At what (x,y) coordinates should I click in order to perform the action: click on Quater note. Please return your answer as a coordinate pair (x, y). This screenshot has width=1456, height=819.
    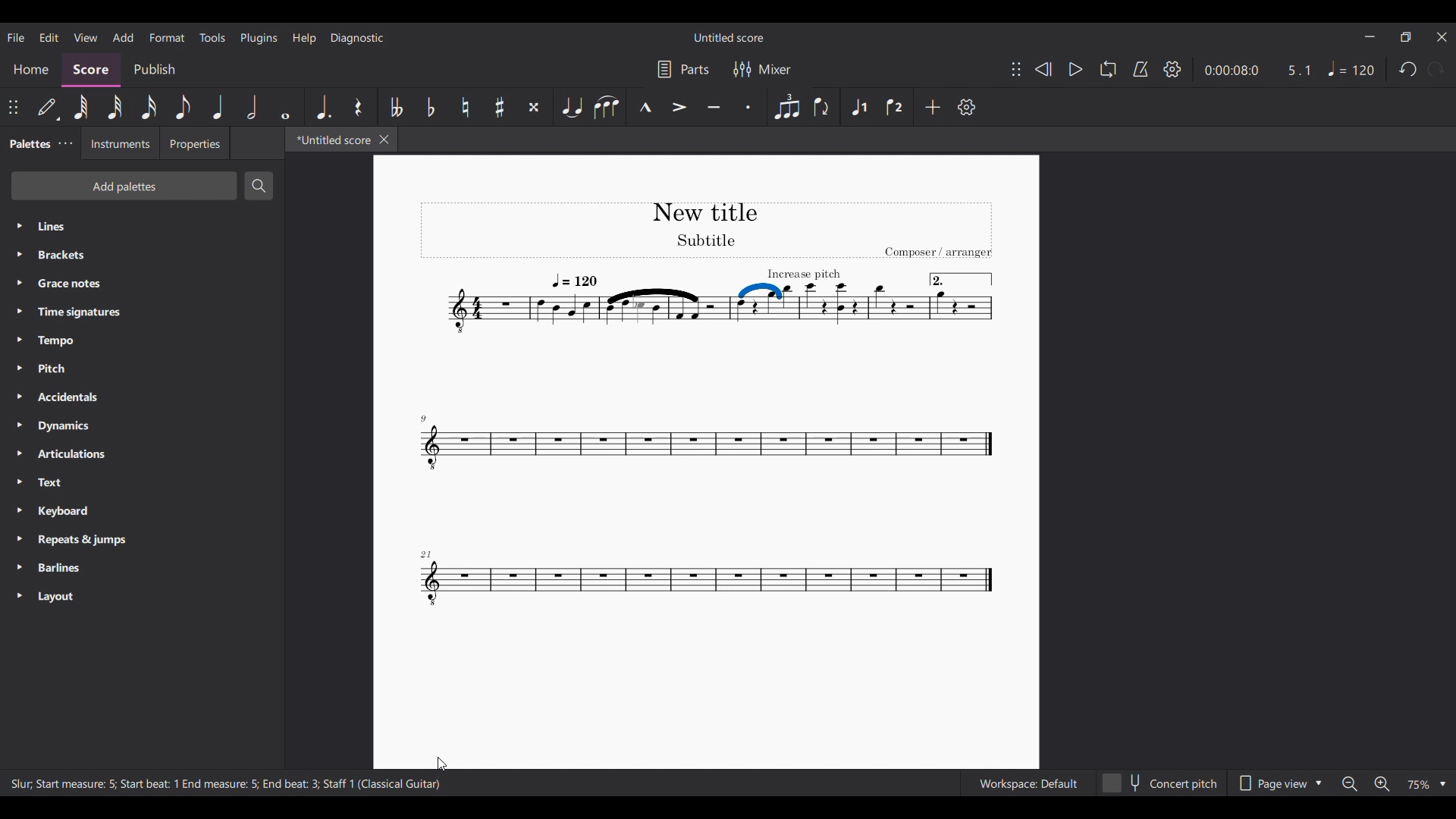
    Looking at the image, I should click on (218, 107).